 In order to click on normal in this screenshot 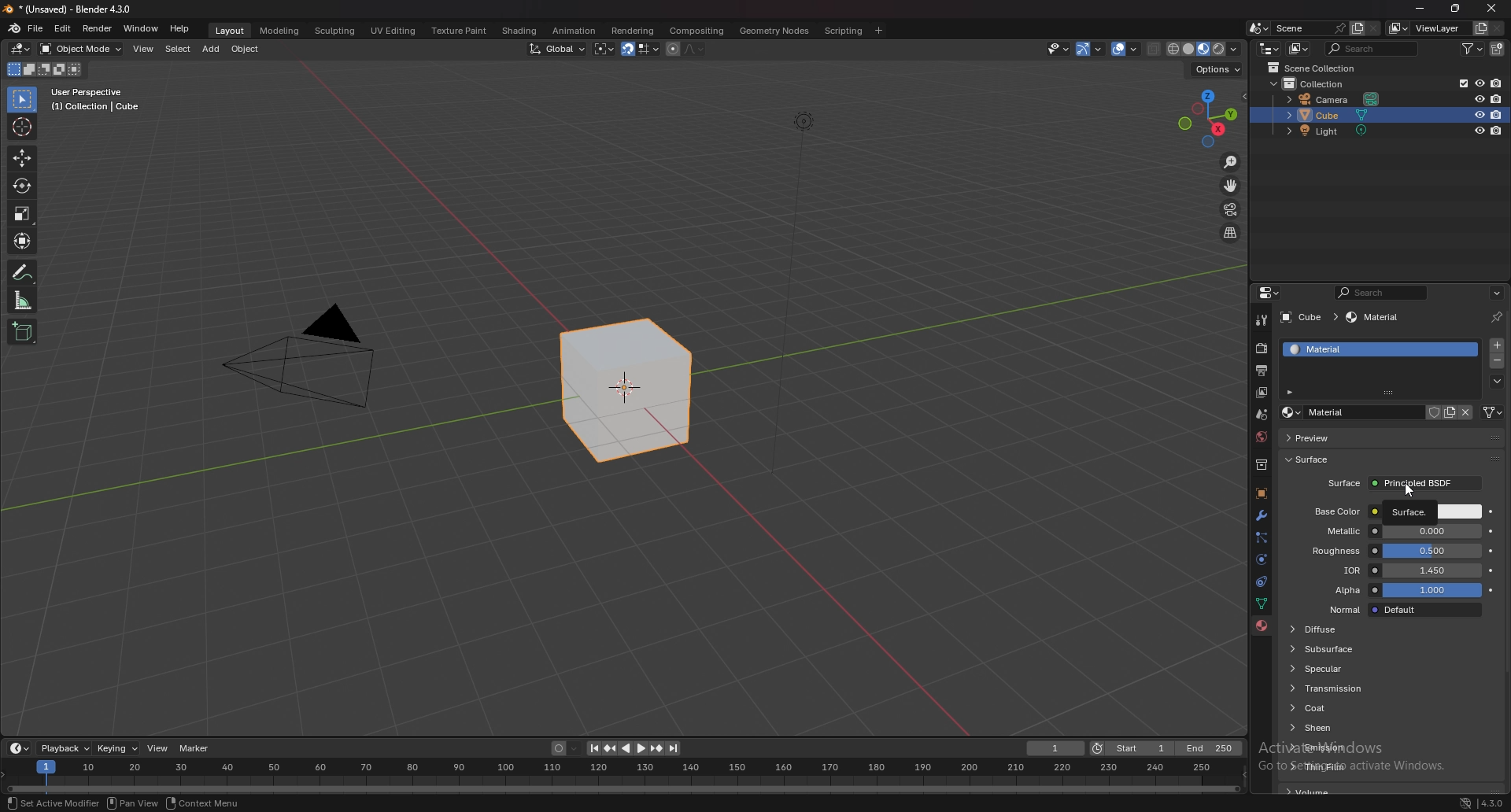, I will do `click(1401, 610)`.